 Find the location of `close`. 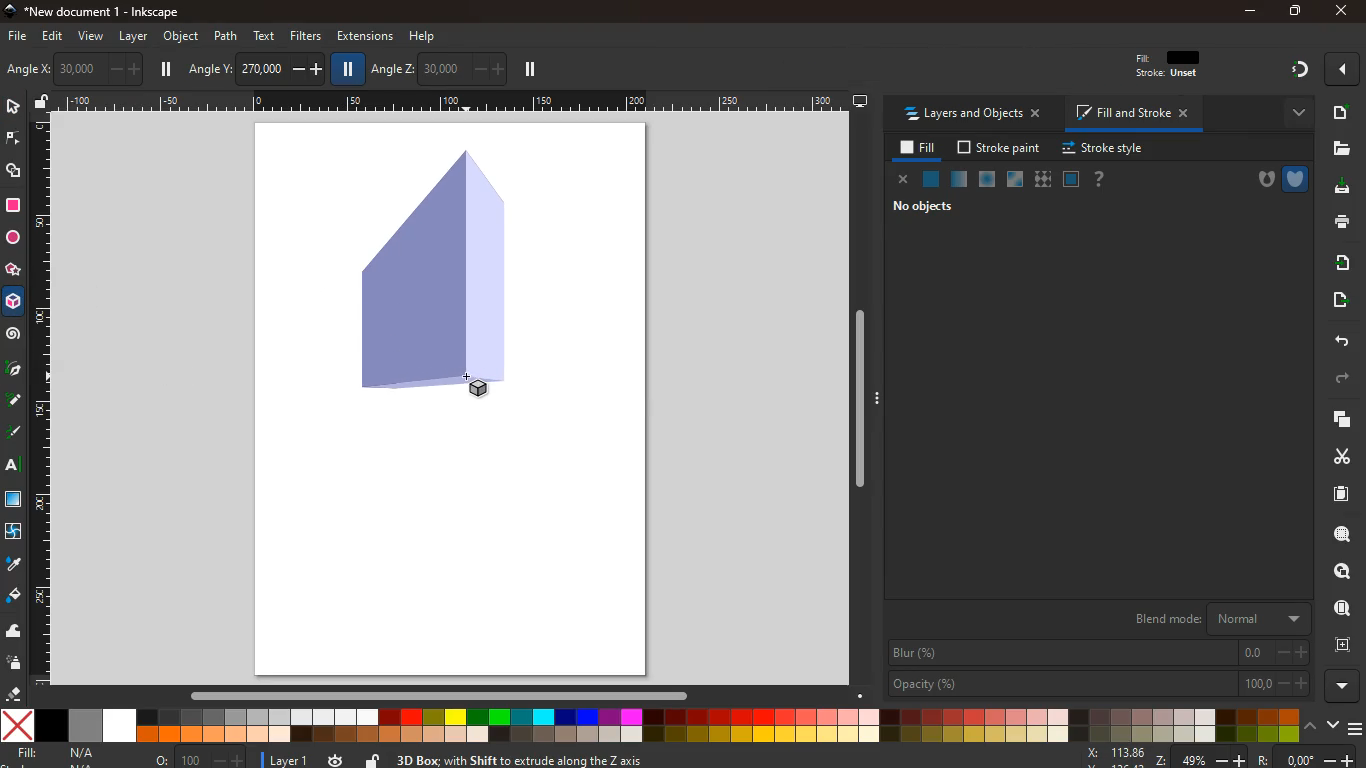

close is located at coordinates (1339, 12).